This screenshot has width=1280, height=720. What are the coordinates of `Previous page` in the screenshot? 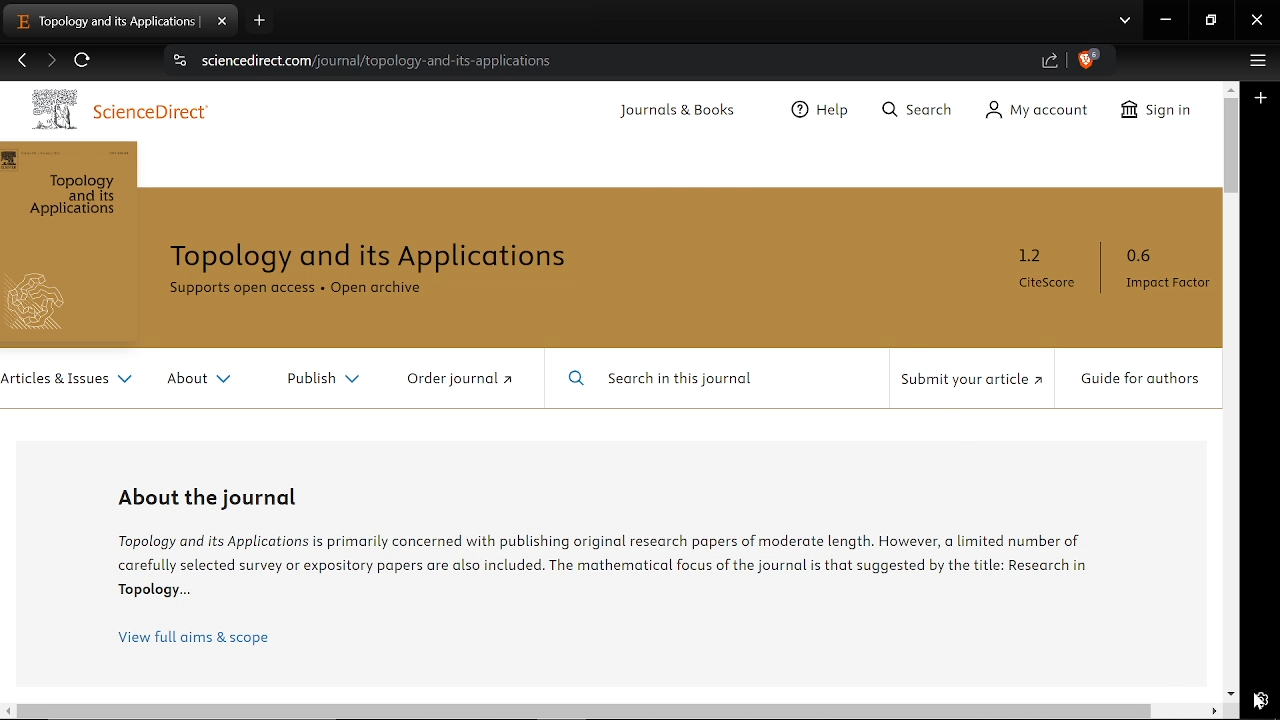 It's located at (22, 62).